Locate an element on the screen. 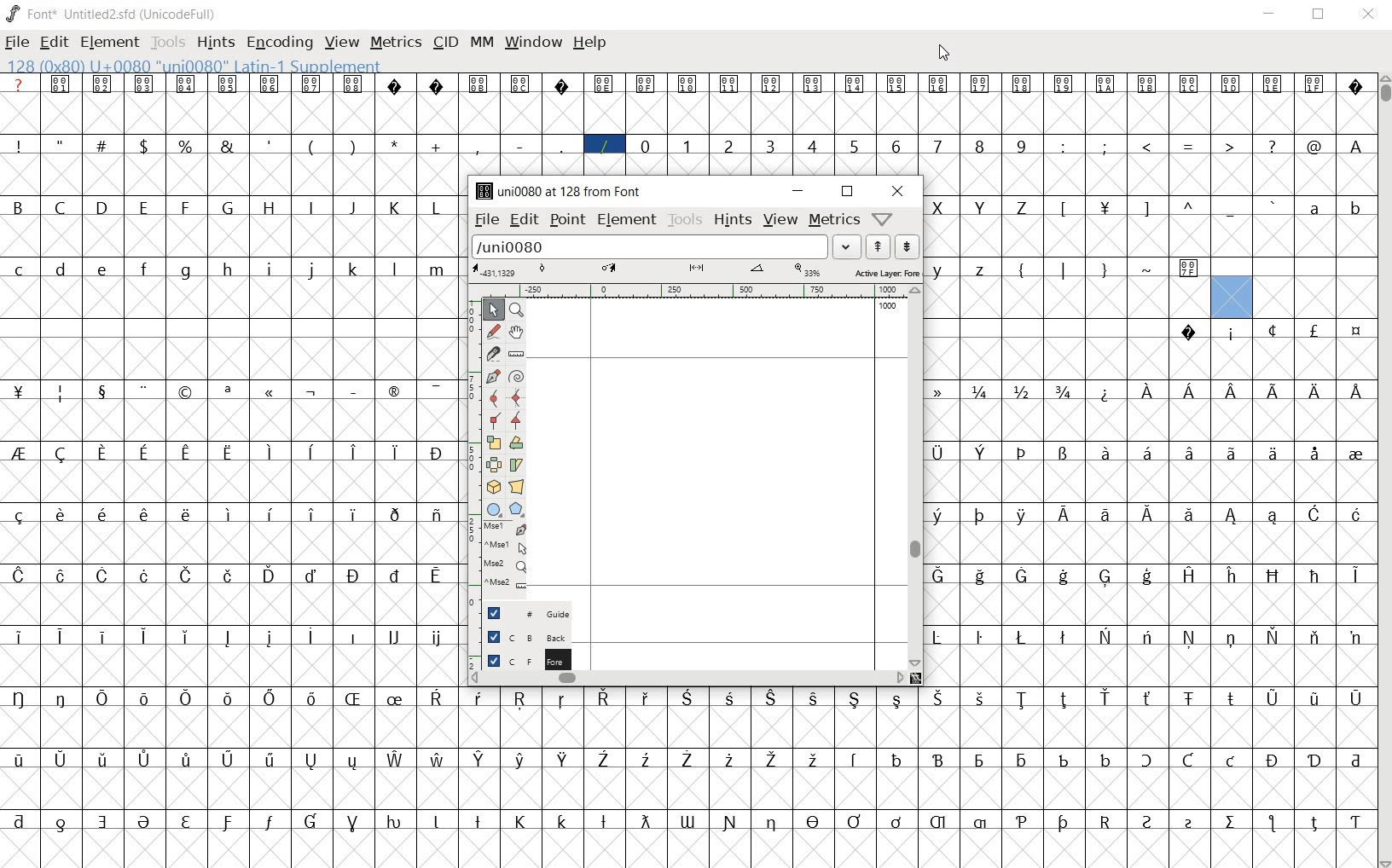  glyph is located at coordinates (1314, 513).